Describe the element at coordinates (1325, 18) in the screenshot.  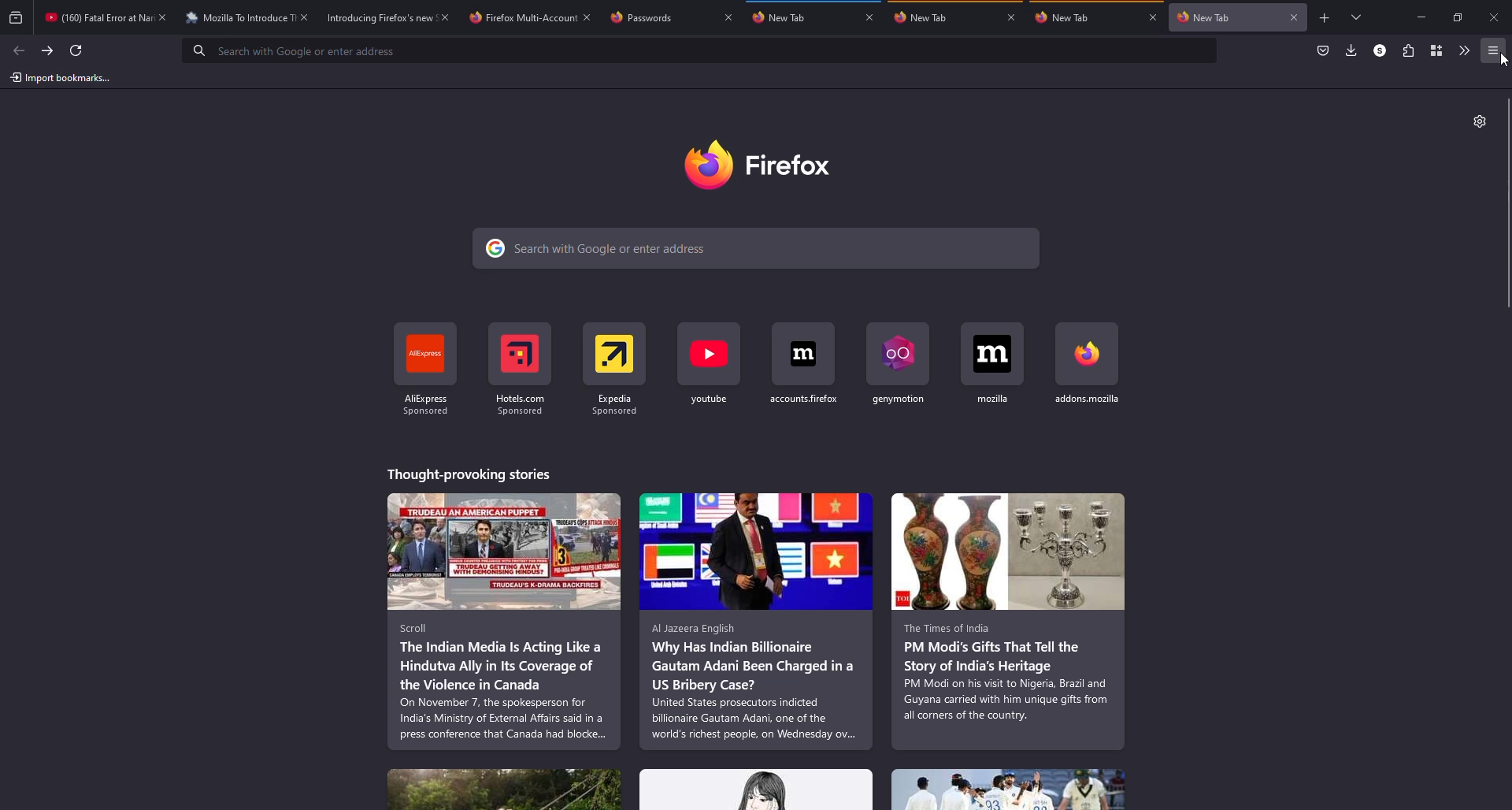
I see `add tab` at that location.